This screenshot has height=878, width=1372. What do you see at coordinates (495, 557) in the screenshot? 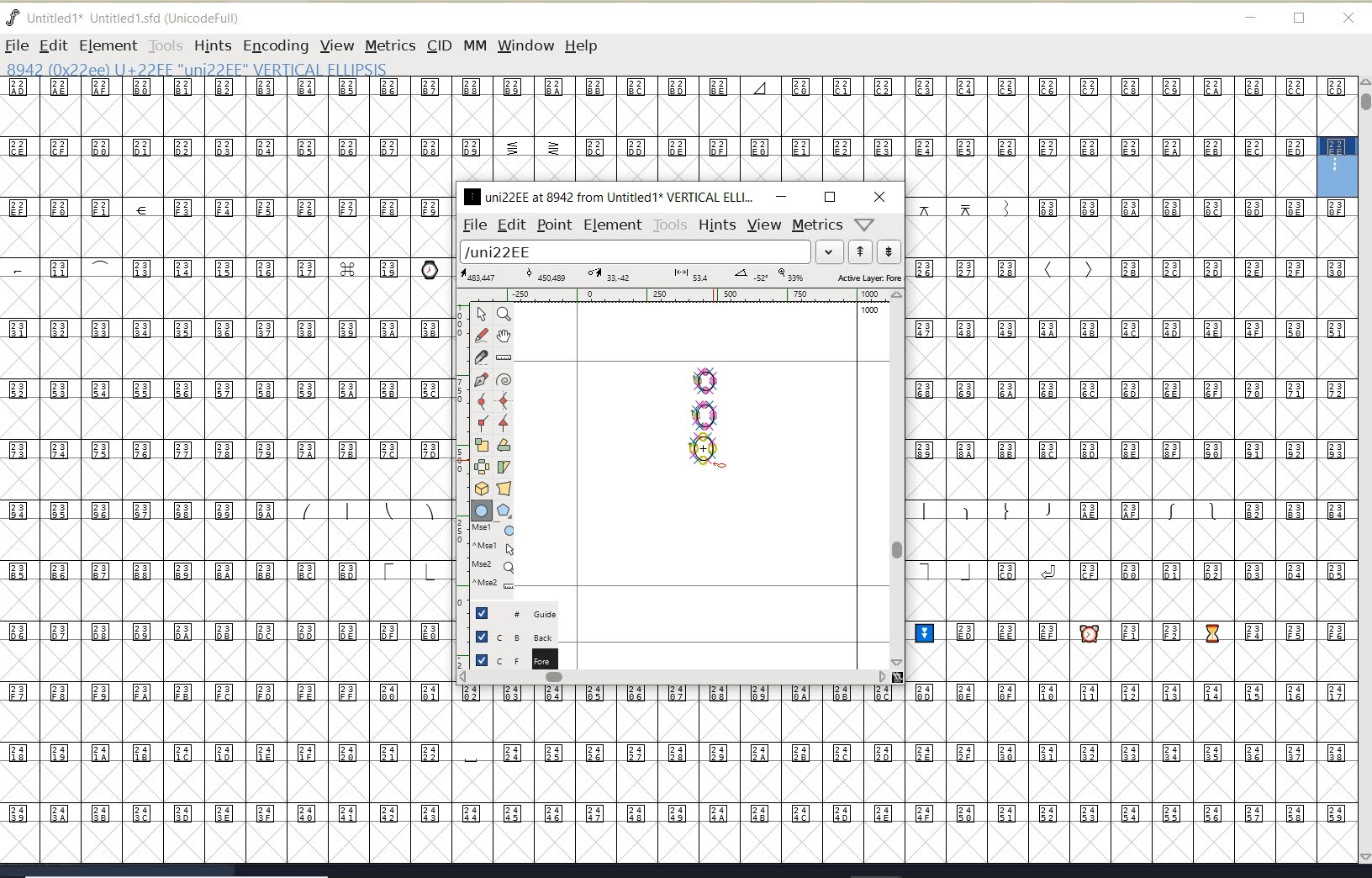
I see `cursor events on the open new outline window` at bounding box center [495, 557].